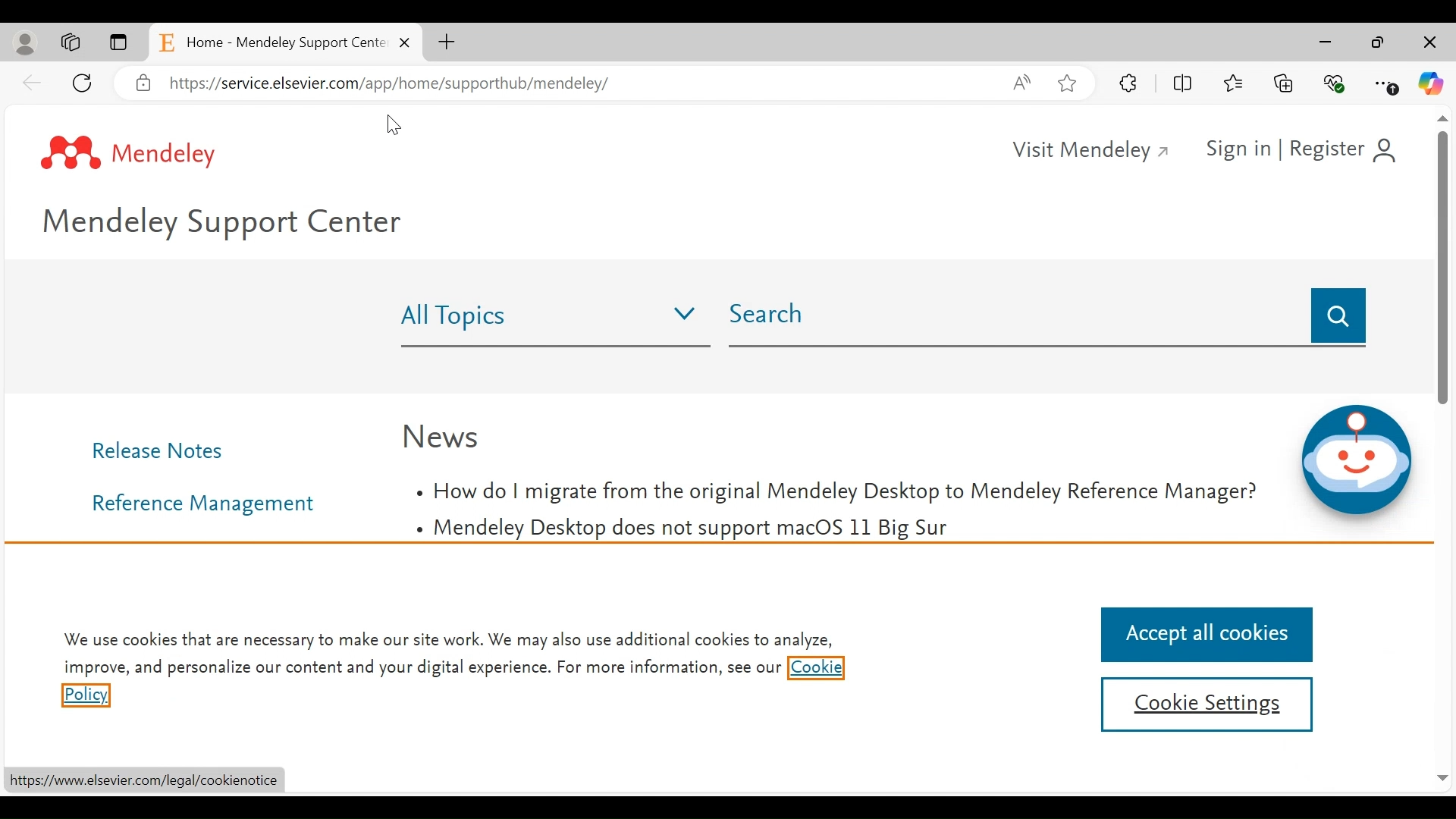 The width and height of the screenshot is (1456, 819). What do you see at coordinates (1021, 82) in the screenshot?
I see `Read aloud tis page` at bounding box center [1021, 82].